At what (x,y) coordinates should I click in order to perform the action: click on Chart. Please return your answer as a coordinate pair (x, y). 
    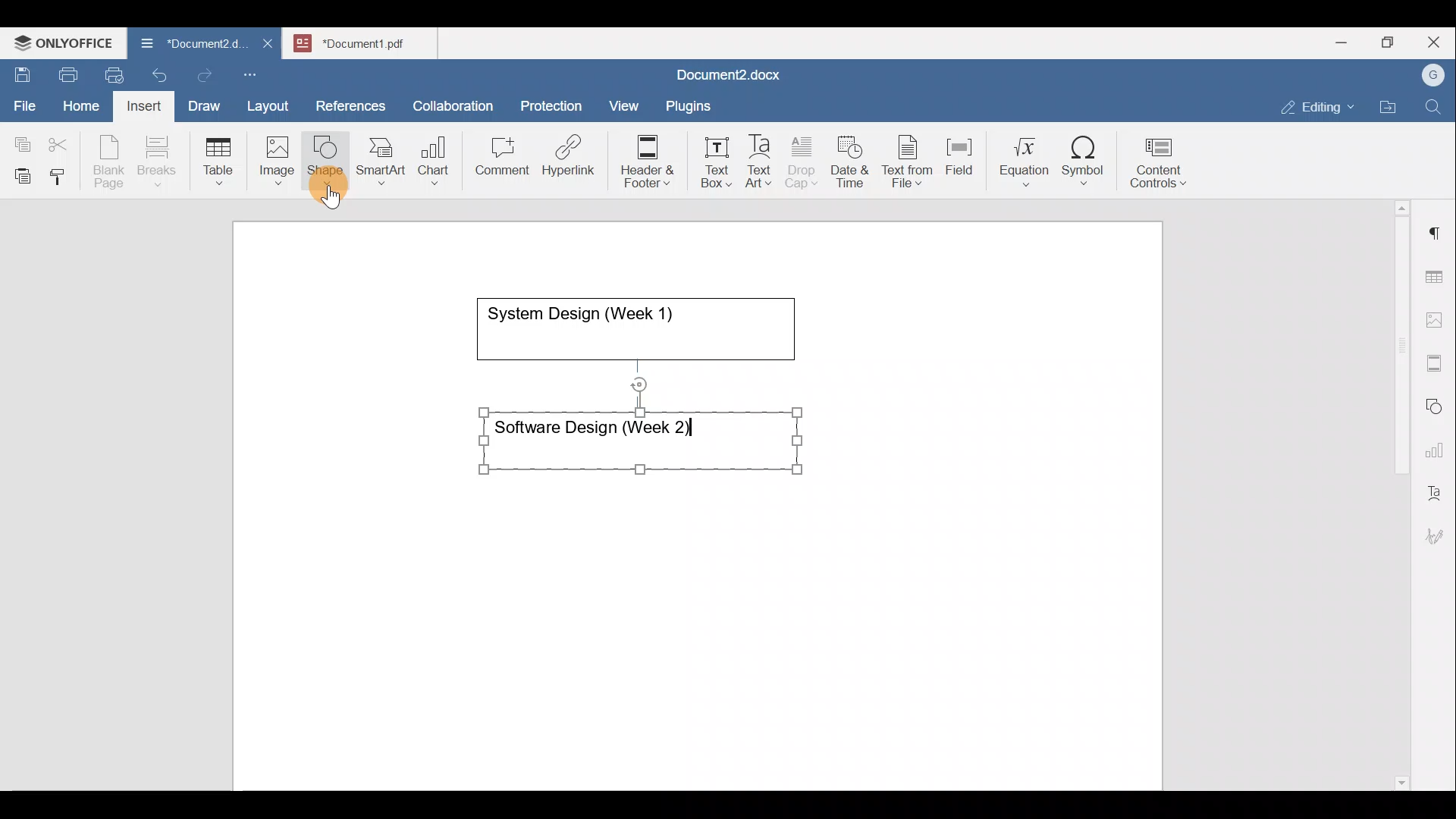
    Looking at the image, I should click on (431, 162).